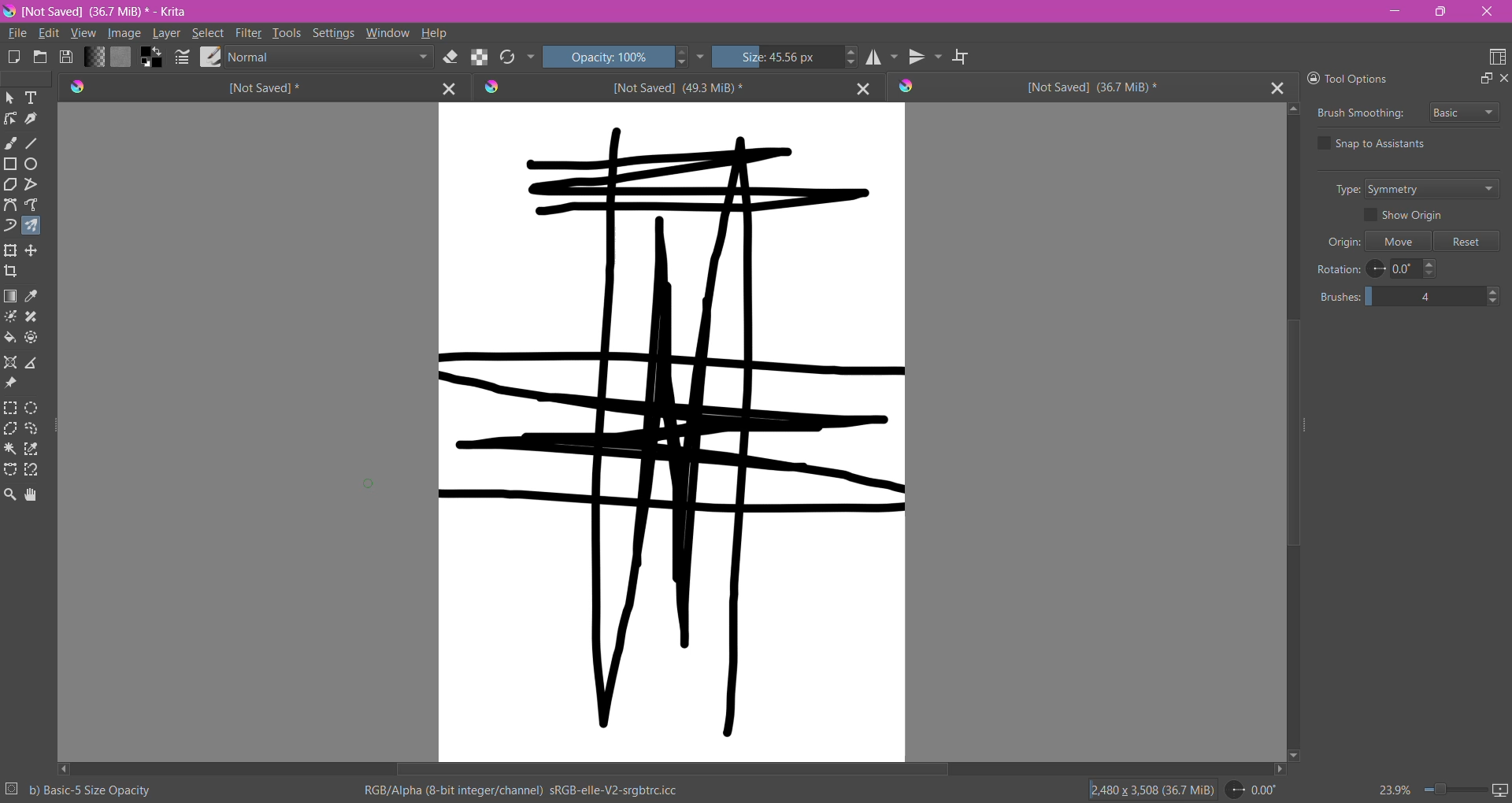 This screenshot has width=1512, height=803. What do you see at coordinates (1408, 271) in the screenshot?
I see `Set Rotation Level` at bounding box center [1408, 271].